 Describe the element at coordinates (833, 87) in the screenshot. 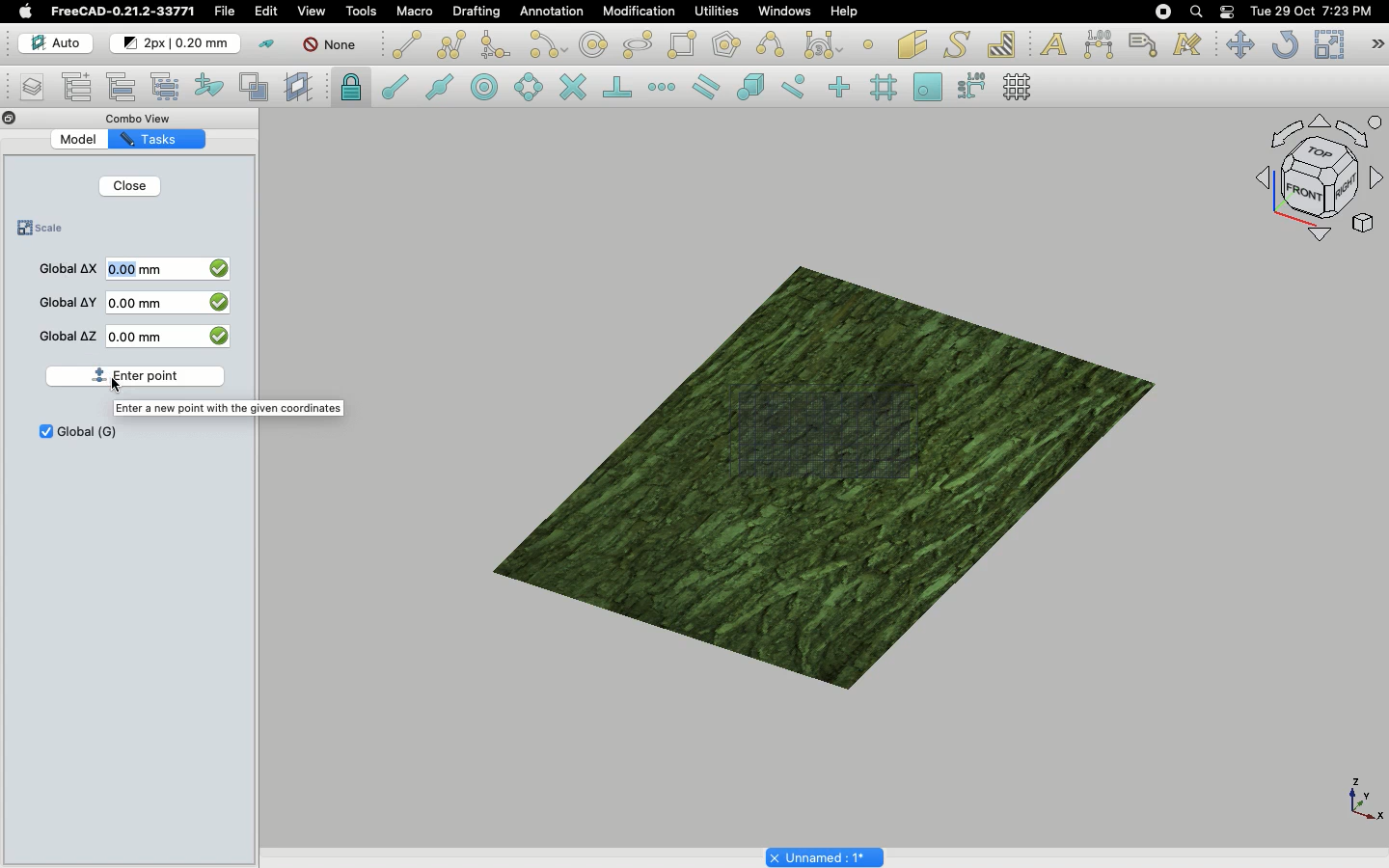

I see `Snap ortho` at that location.